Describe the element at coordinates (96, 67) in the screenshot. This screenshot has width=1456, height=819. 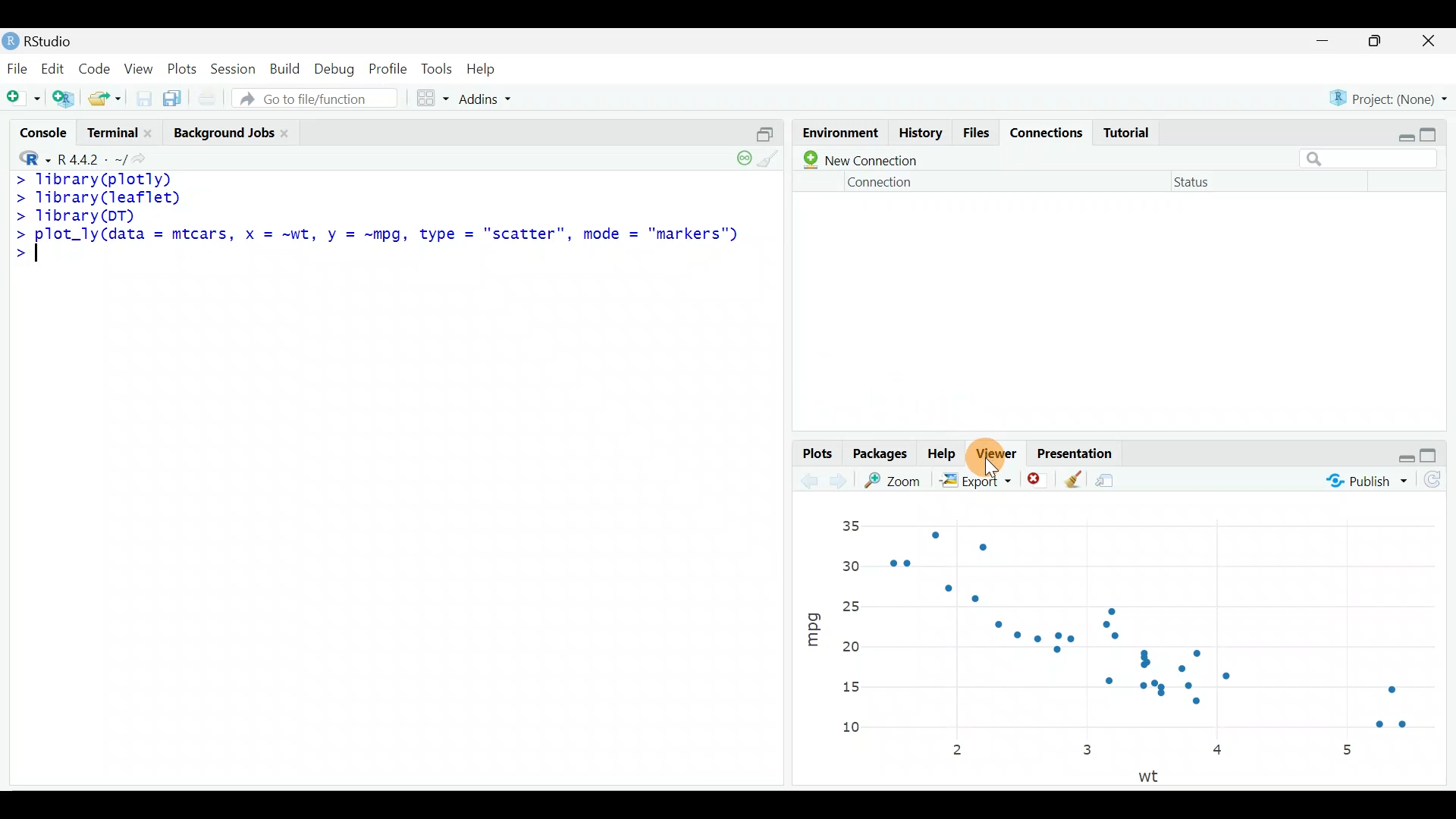
I see `Code` at that location.